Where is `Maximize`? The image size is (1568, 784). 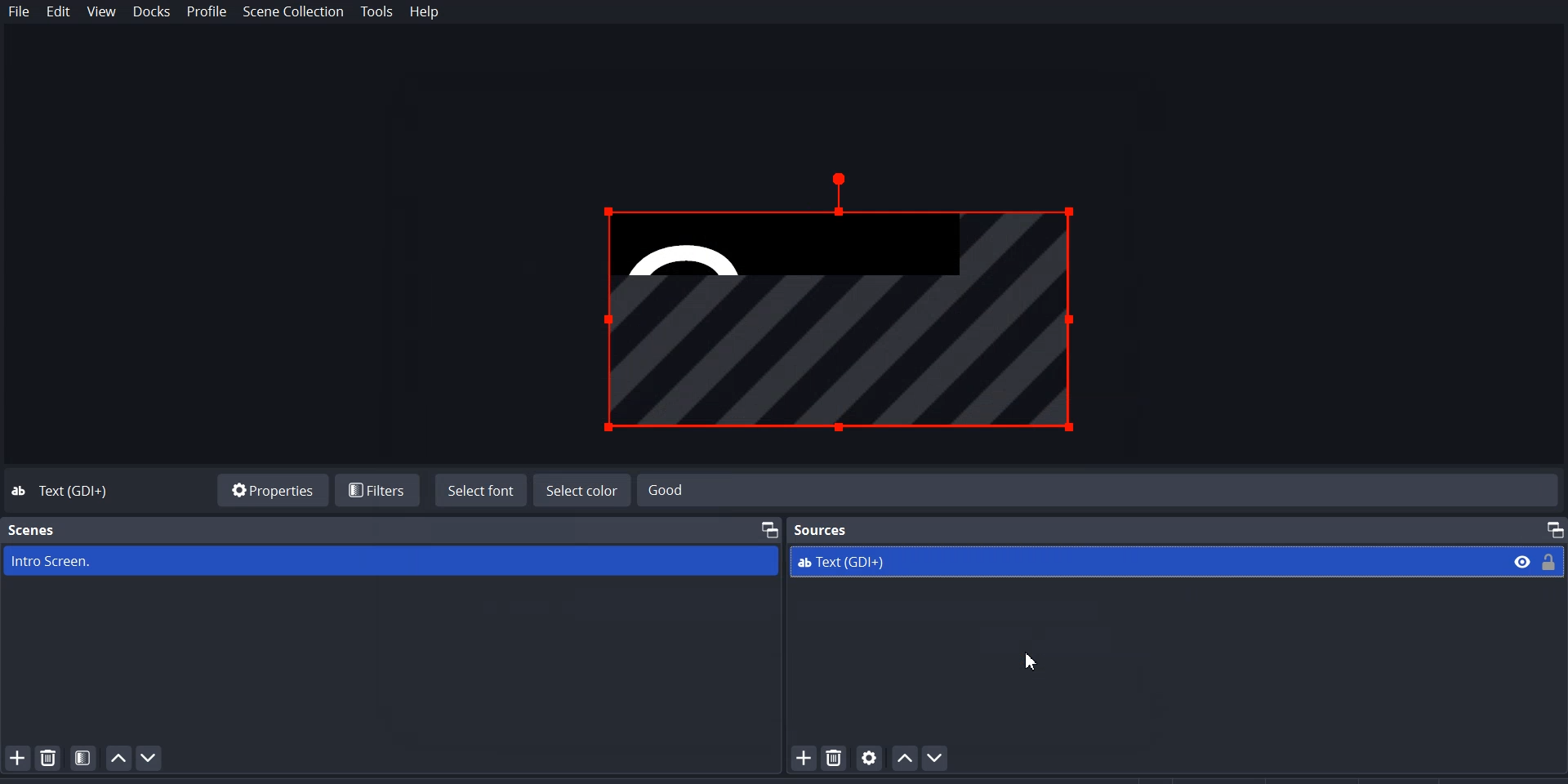
Maximize is located at coordinates (1548, 528).